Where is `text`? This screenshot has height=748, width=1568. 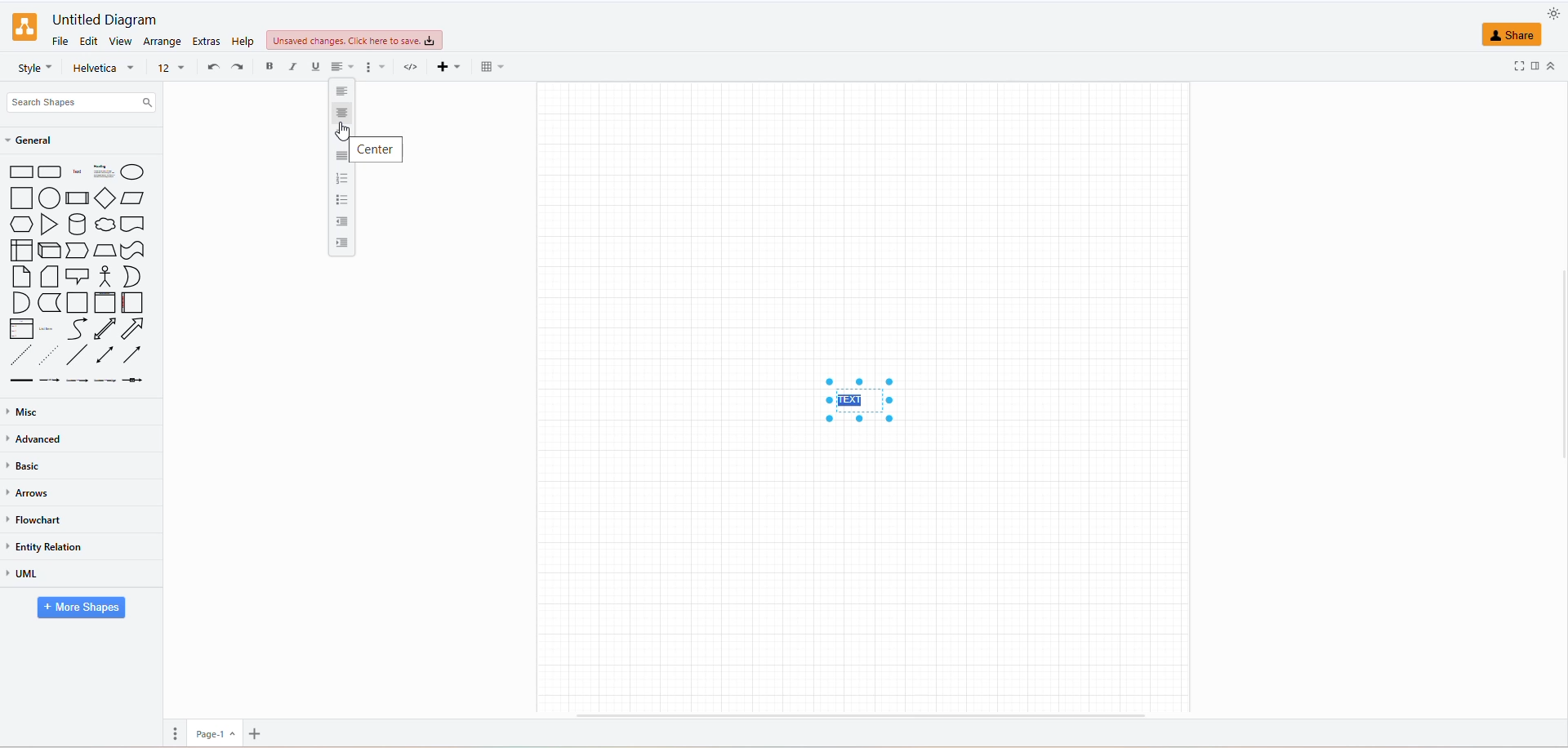 text is located at coordinates (858, 398).